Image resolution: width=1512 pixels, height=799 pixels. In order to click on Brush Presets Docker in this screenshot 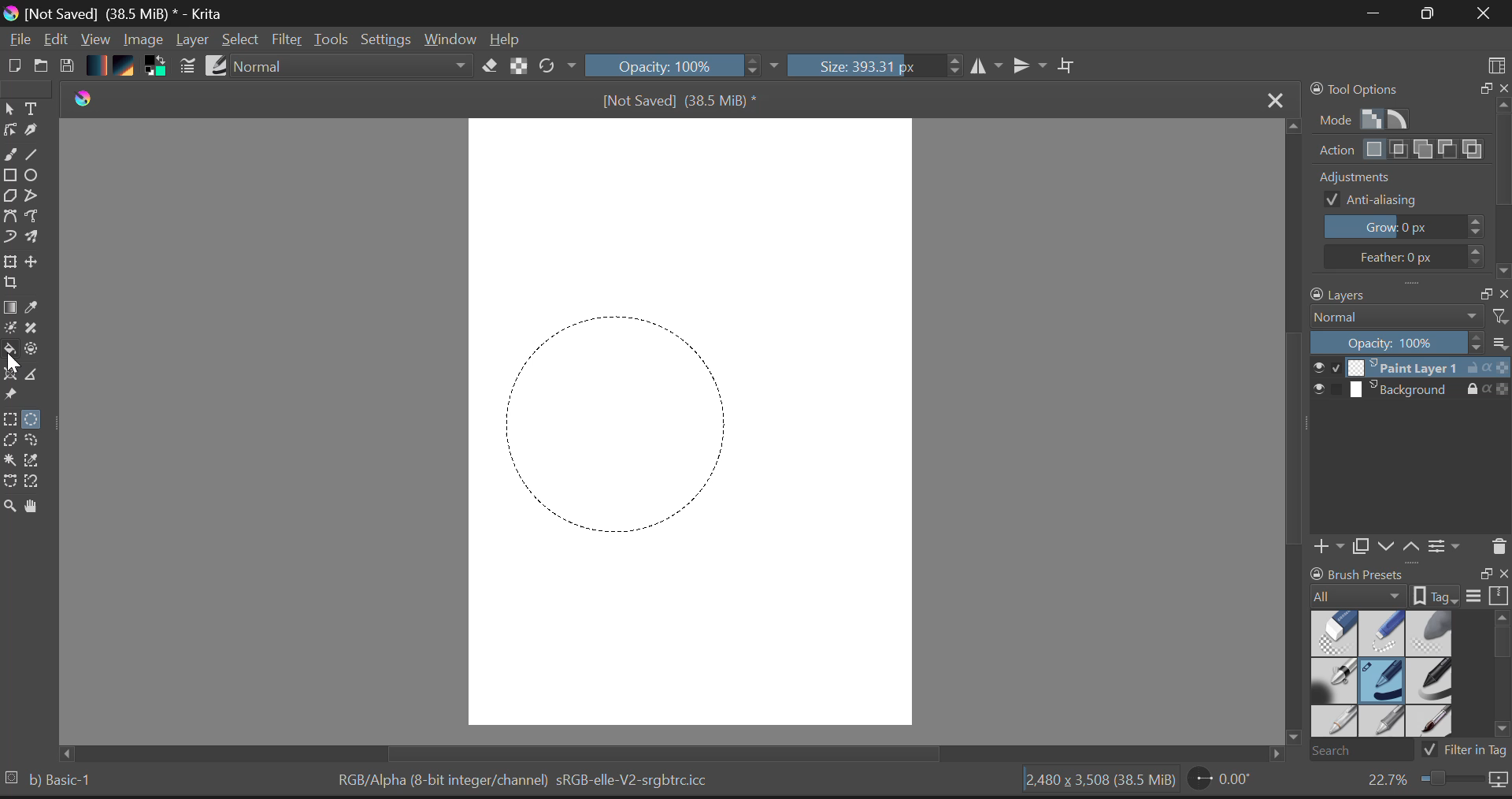, I will do `click(1406, 662)`.